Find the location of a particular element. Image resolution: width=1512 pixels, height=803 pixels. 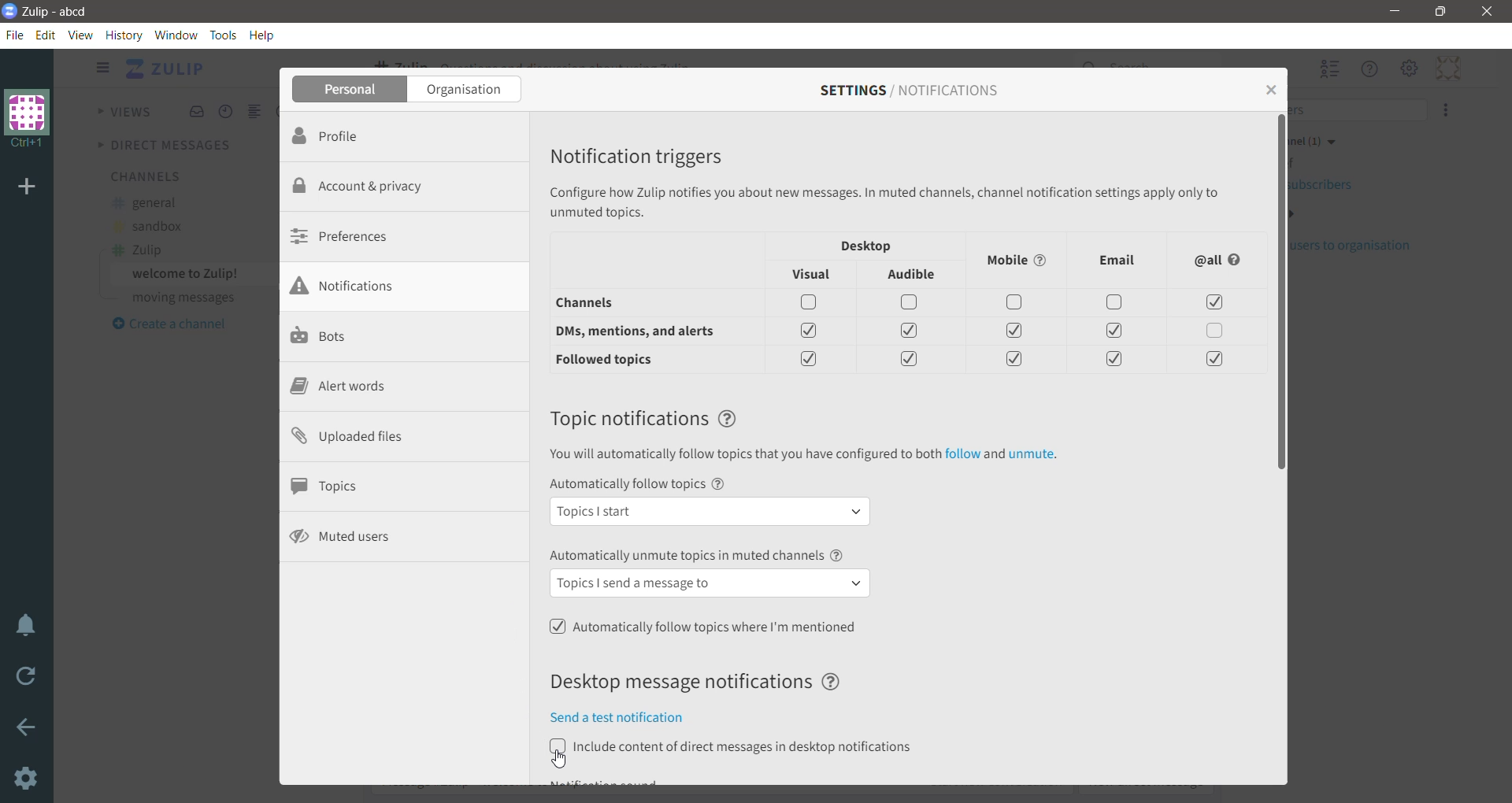

Window is located at coordinates (176, 35).